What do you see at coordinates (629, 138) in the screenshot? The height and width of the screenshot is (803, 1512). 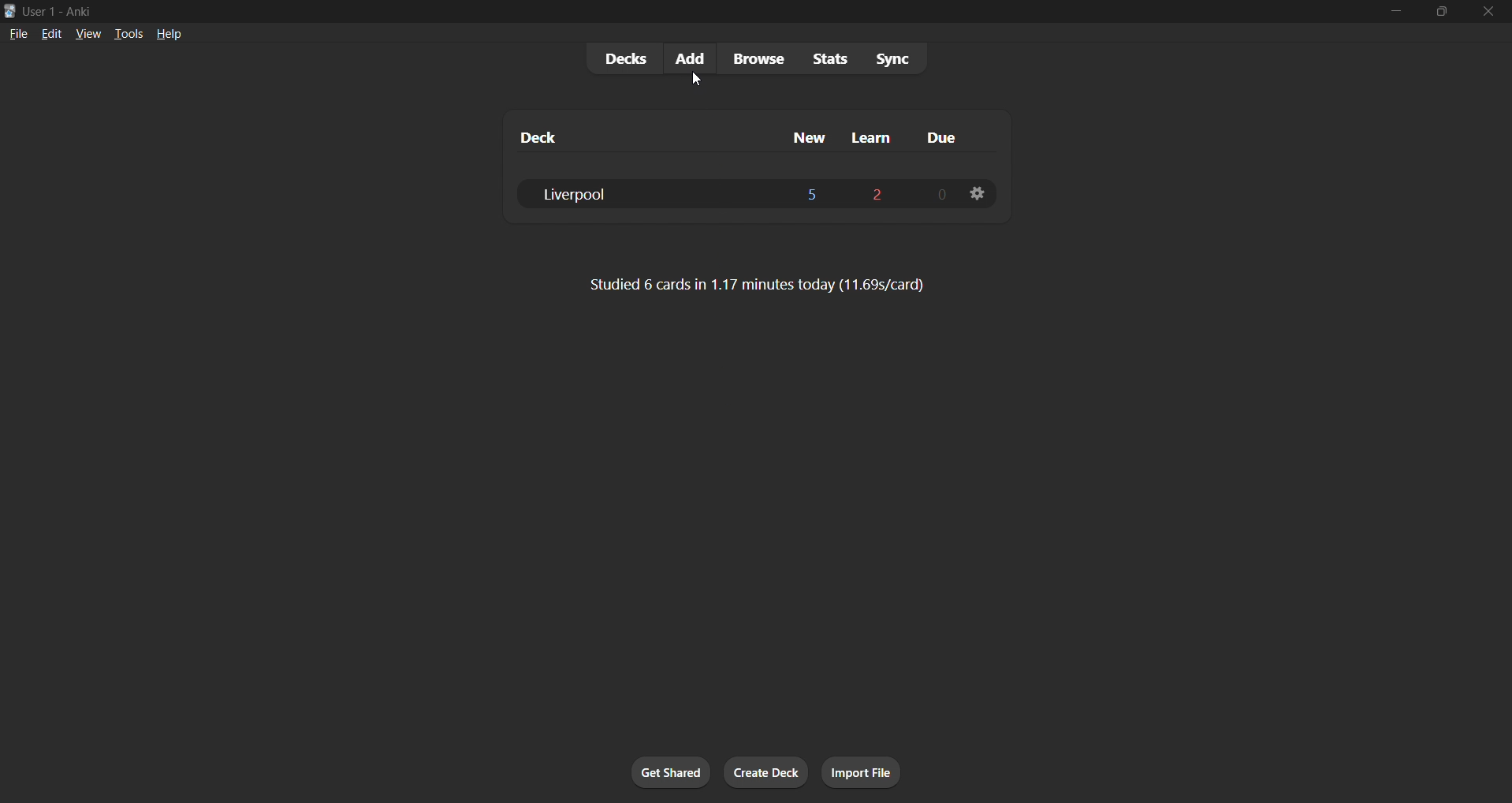 I see `deck column` at bounding box center [629, 138].